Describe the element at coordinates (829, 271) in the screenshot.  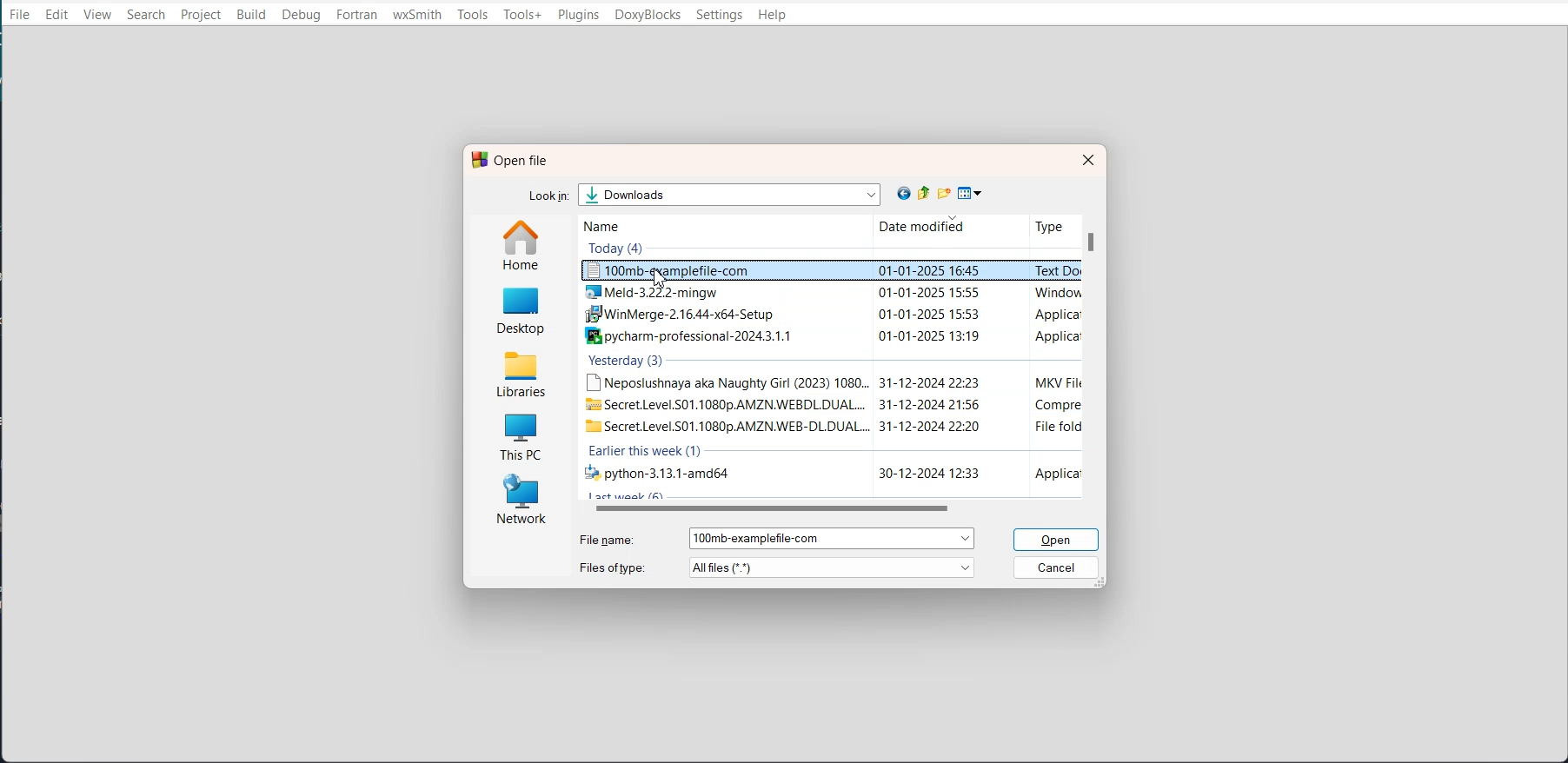
I see `100mb-examplefile.com` at that location.